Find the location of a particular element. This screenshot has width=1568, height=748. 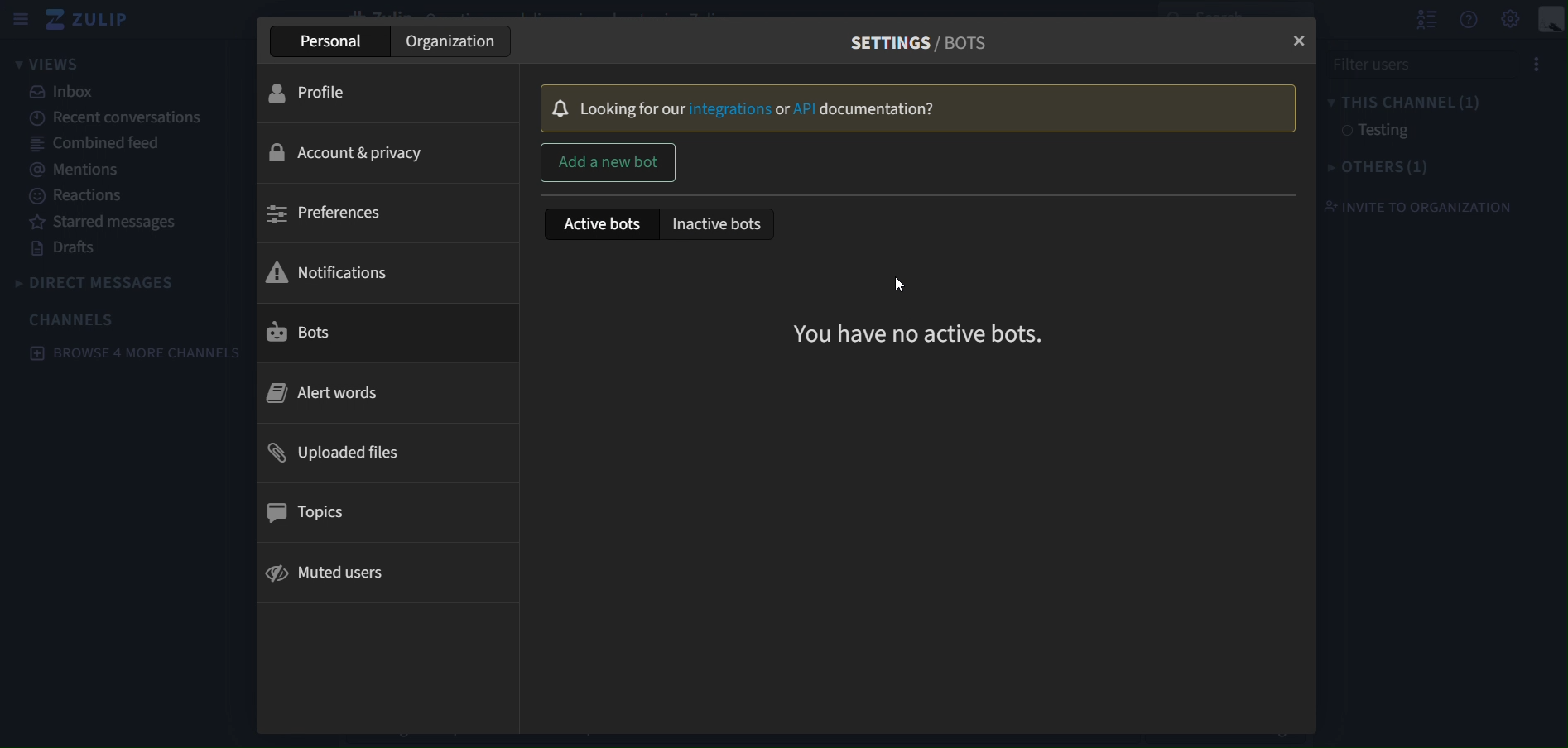

mentions is located at coordinates (73, 170).